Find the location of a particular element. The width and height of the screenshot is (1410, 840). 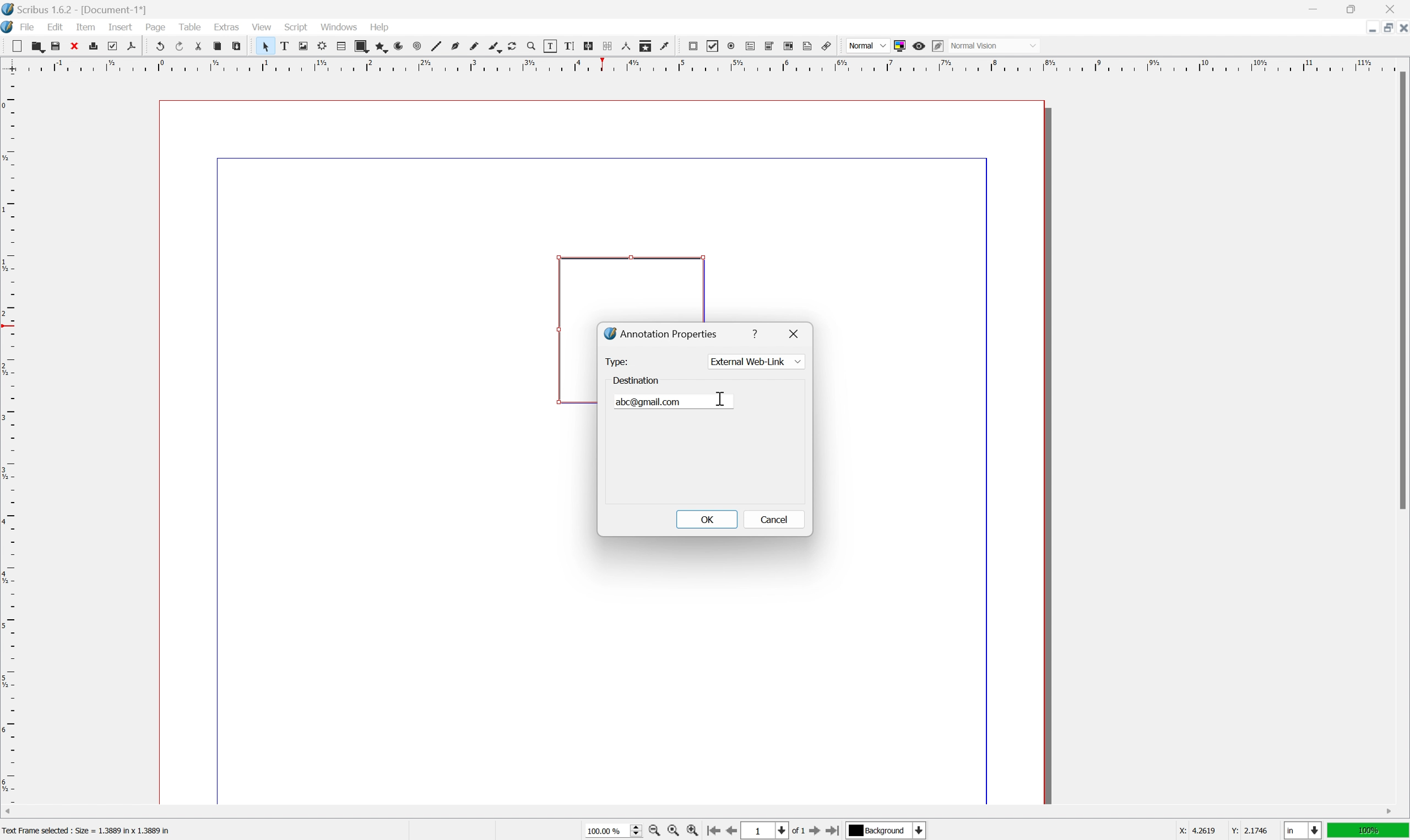

select current page is located at coordinates (774, 832).